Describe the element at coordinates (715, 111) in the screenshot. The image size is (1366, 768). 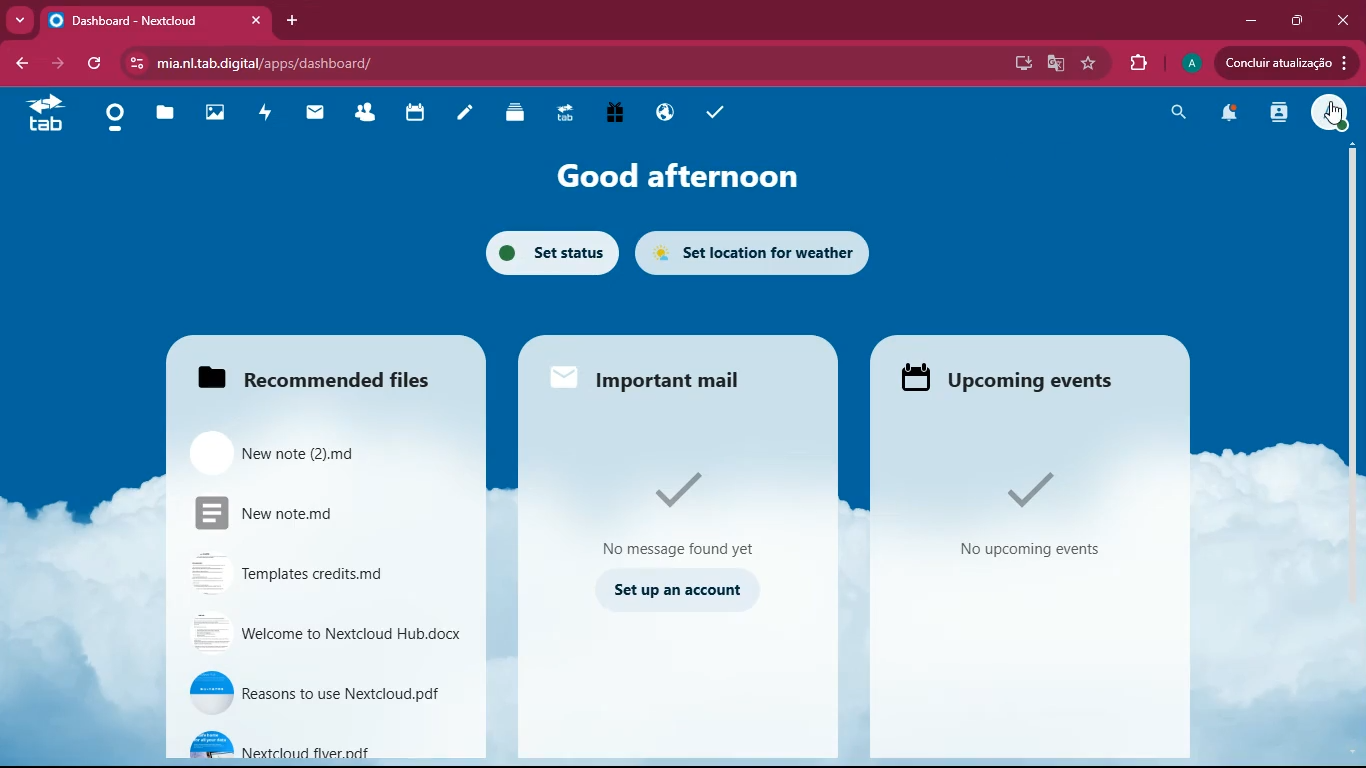
I see `tasks` at that location.